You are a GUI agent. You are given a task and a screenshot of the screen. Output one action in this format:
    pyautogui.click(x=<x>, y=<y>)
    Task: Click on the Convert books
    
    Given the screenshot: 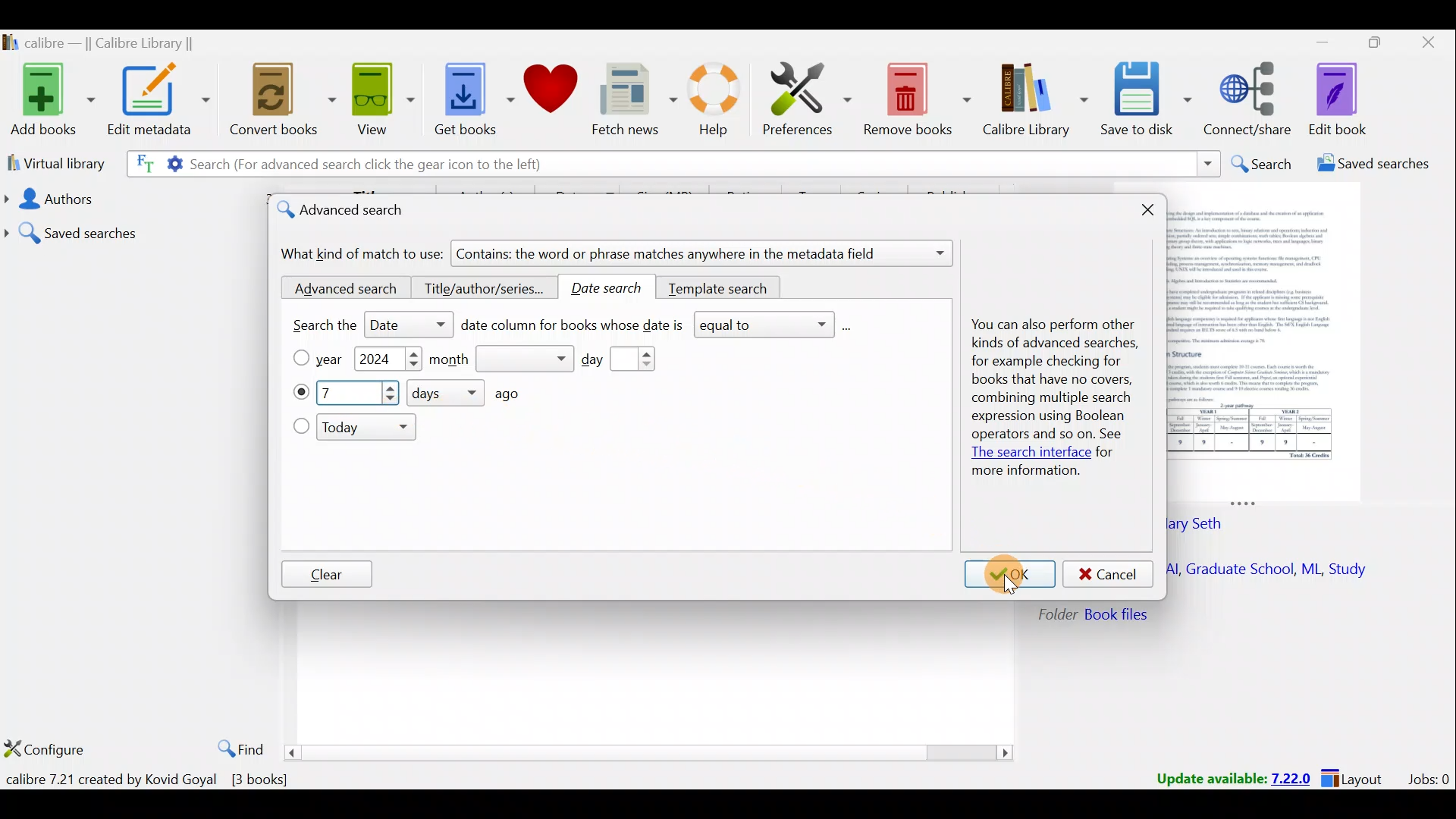 What is the action you would take?
    pyautogui.click(x=284, y=104)
    